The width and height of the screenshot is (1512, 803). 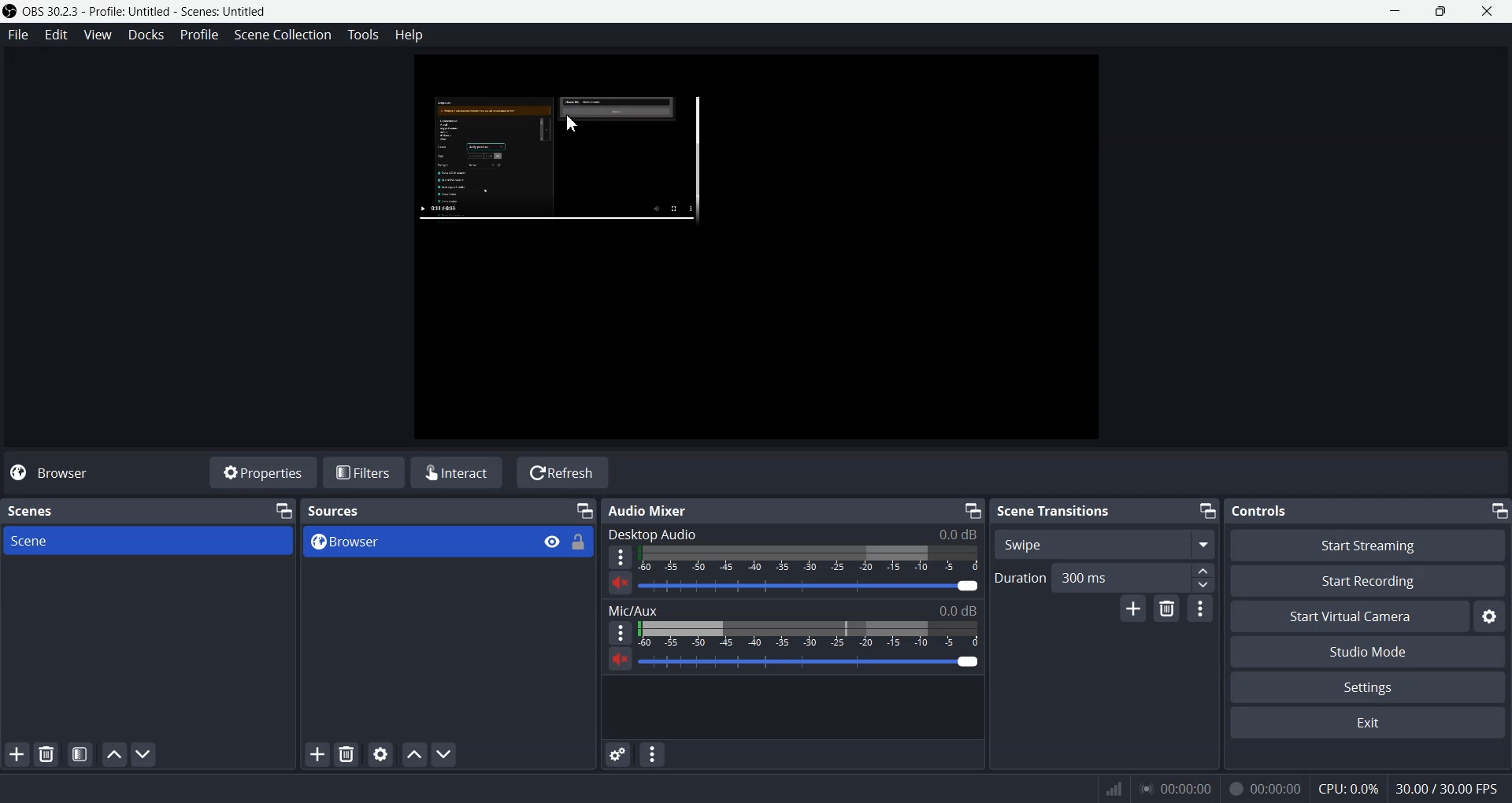 What do you see at coordinates (1166, 609) in the screenshot?
I see `Remove configurable transition` at bounding box center [1166, 609].